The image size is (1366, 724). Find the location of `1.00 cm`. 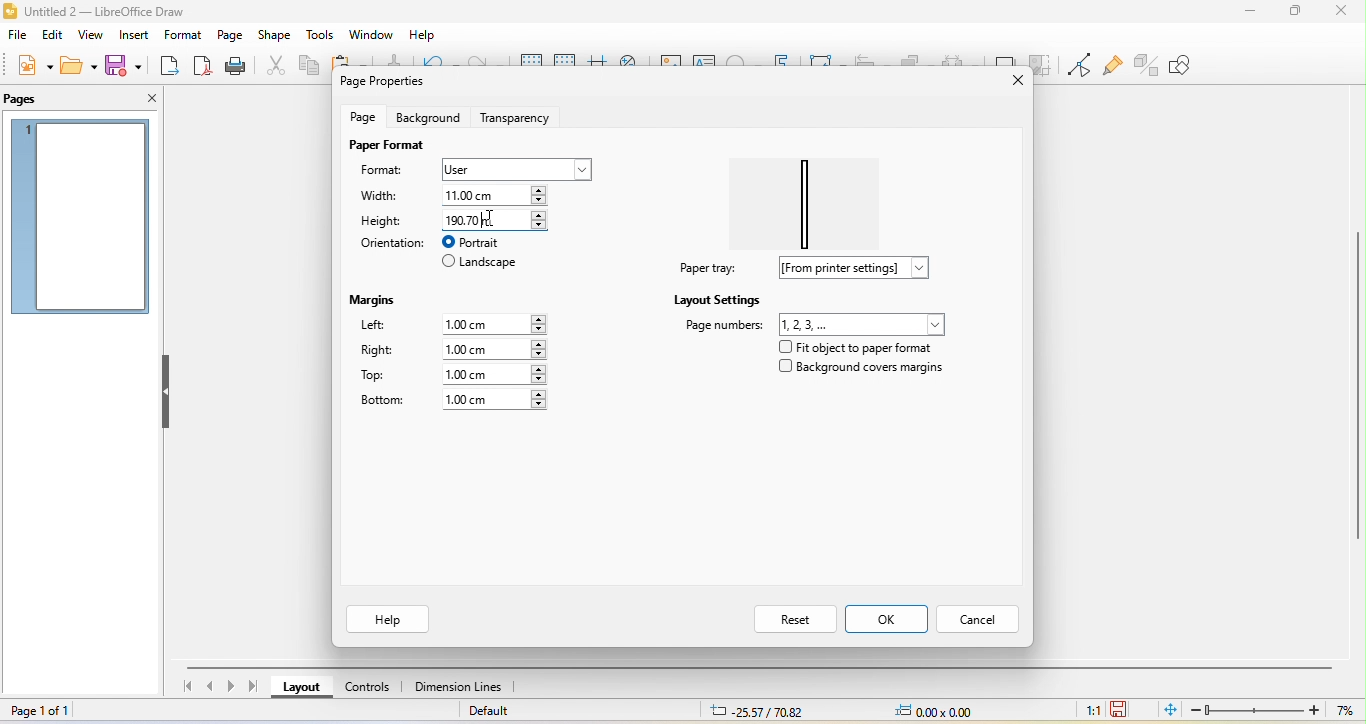

1.00 cm is located at coordinates (498, 322).